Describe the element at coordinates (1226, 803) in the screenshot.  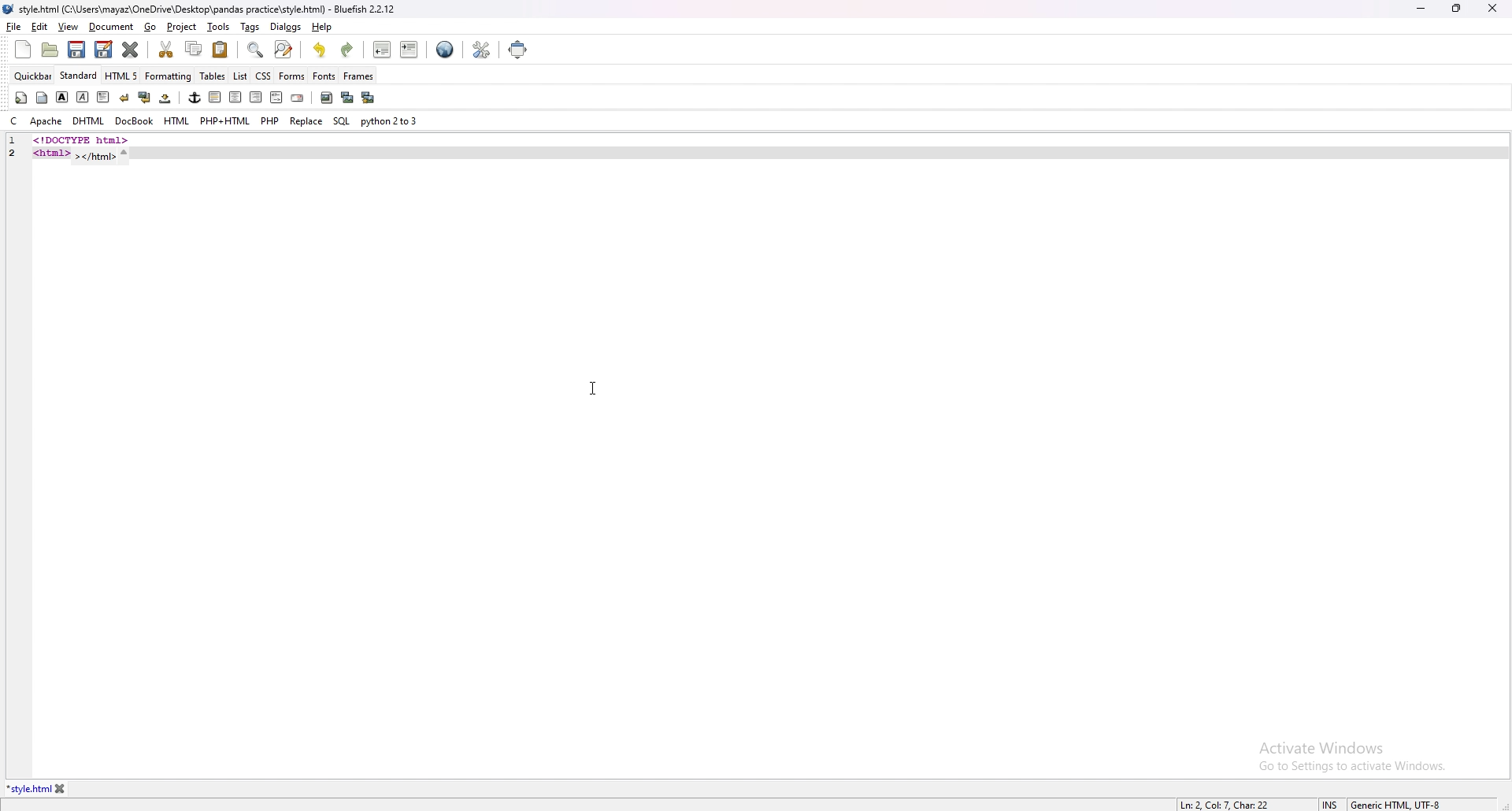
I see `line info` at that location.